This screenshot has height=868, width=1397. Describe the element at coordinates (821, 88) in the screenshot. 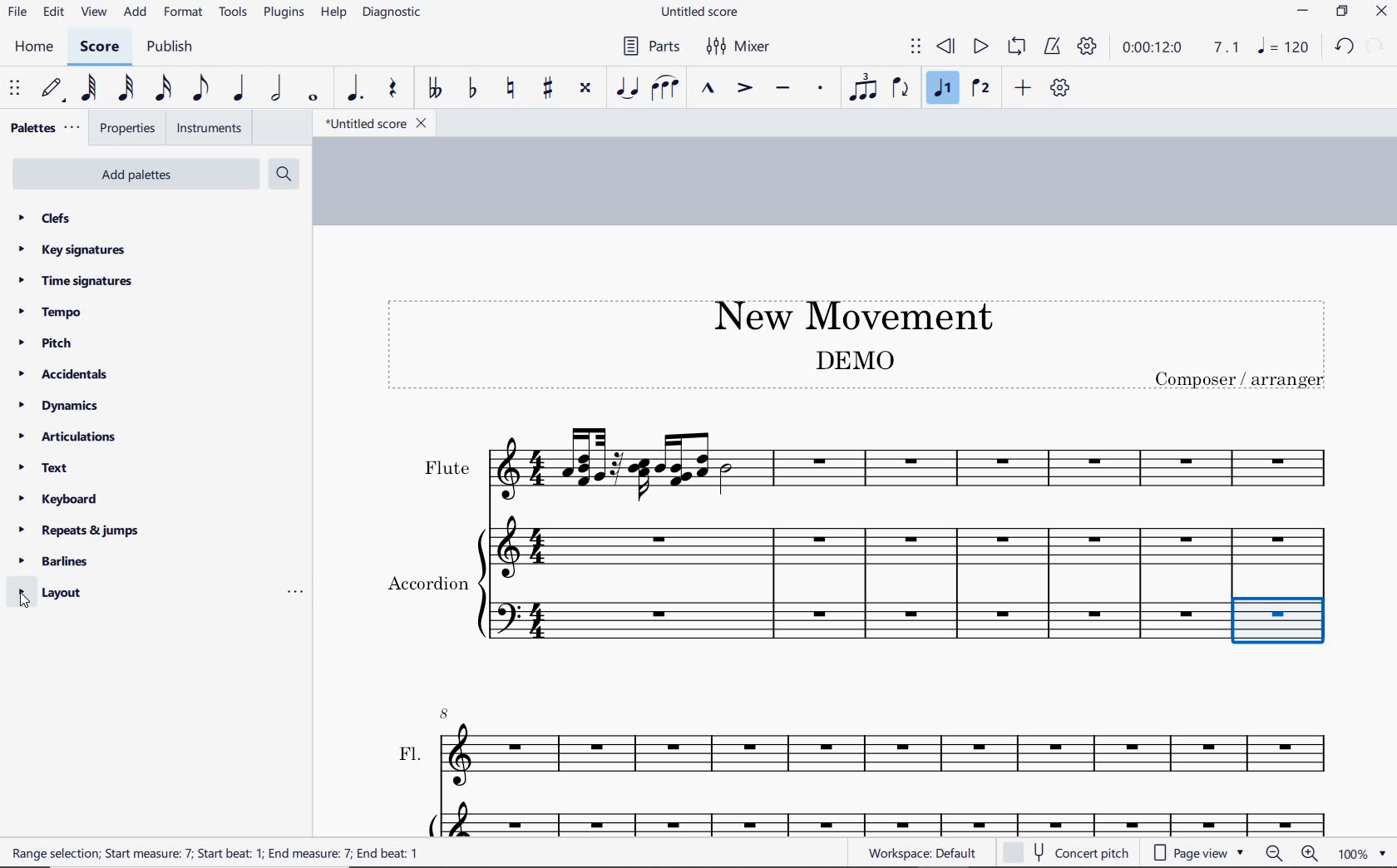

I see `staccato` at that location.